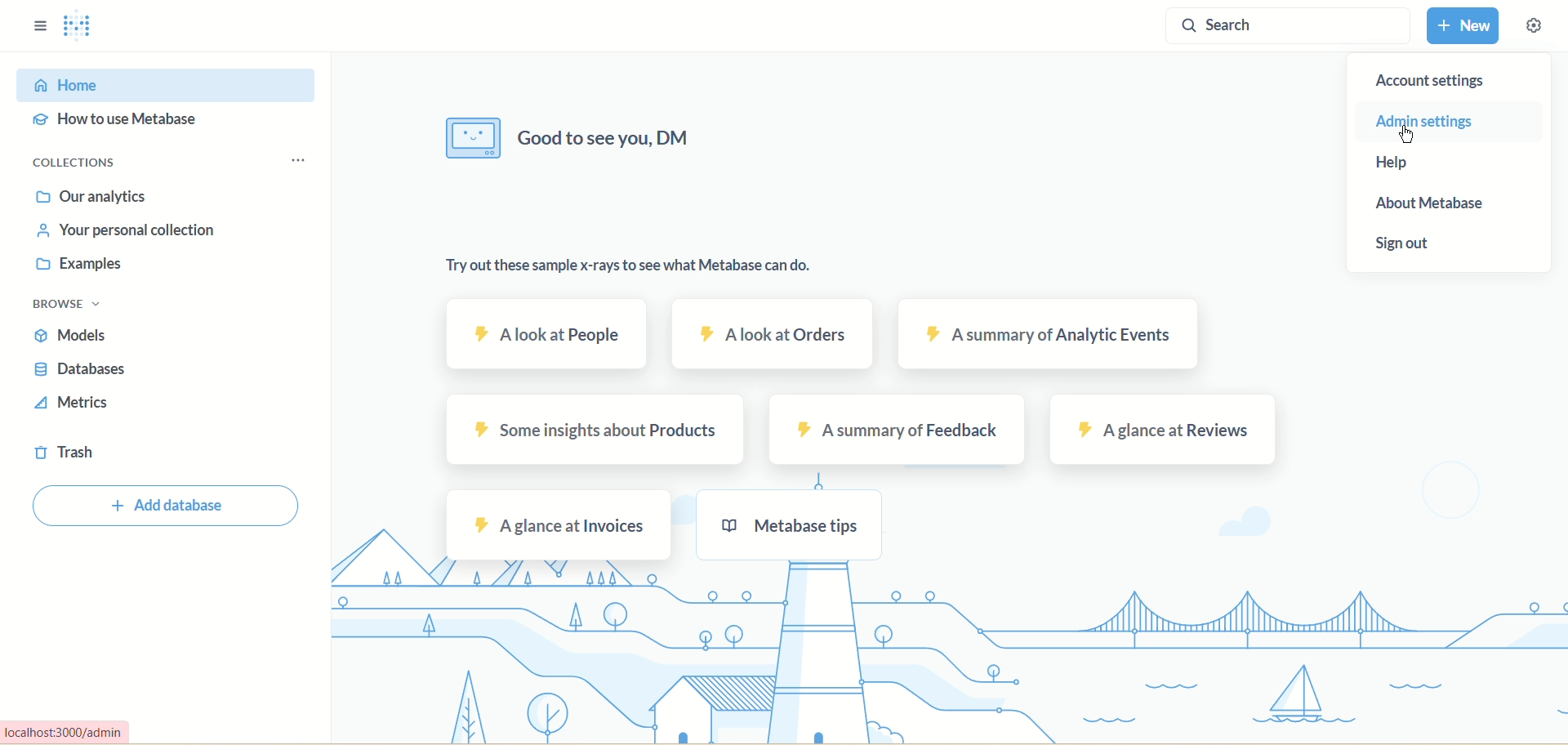  What do you see at coordinates (1429, 204) in the screenshot?
I see `about metabase` at bounding box center [1429, 204].